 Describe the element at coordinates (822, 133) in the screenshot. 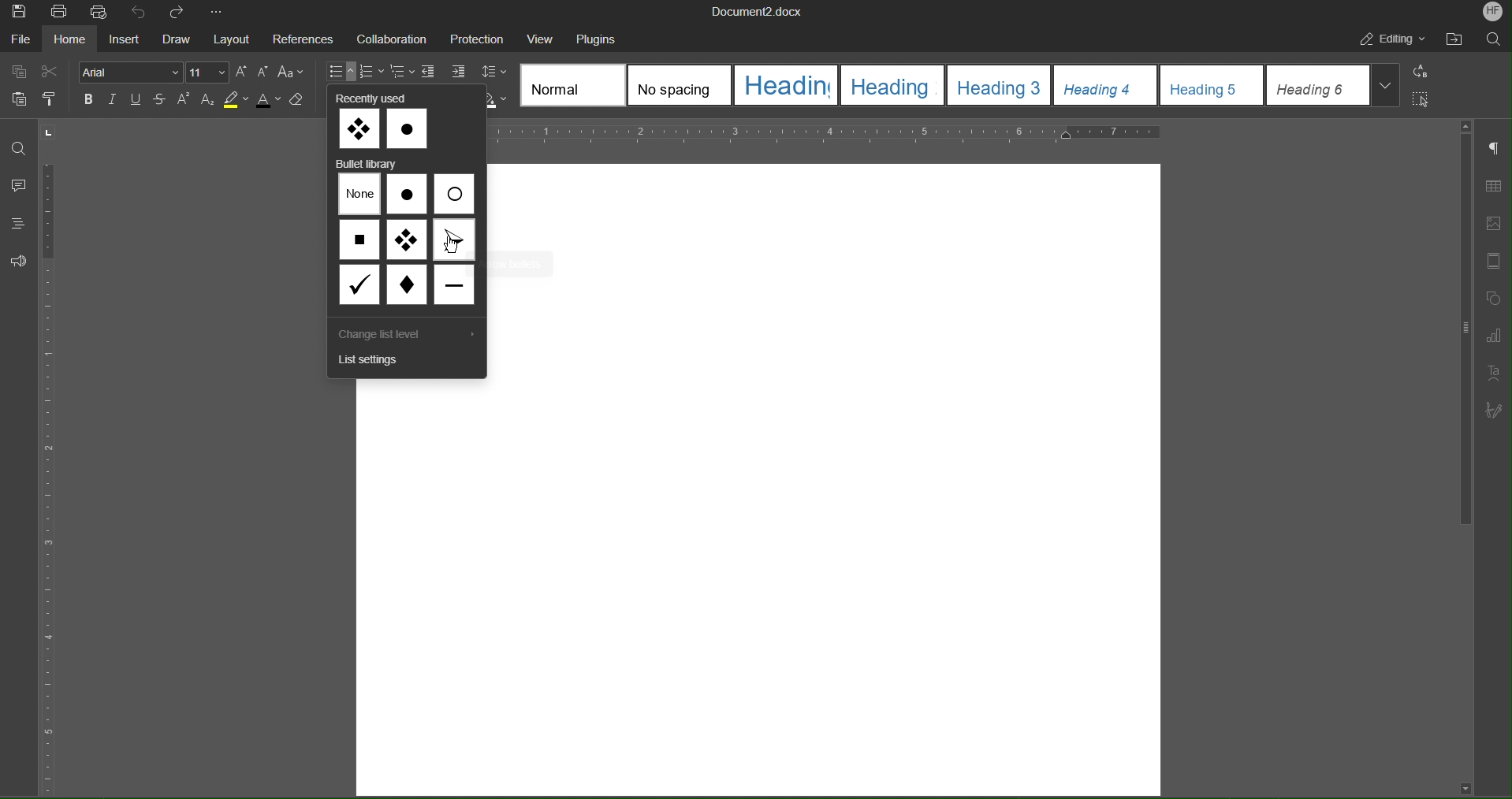

I see `Horizontal Ruler` at that location.